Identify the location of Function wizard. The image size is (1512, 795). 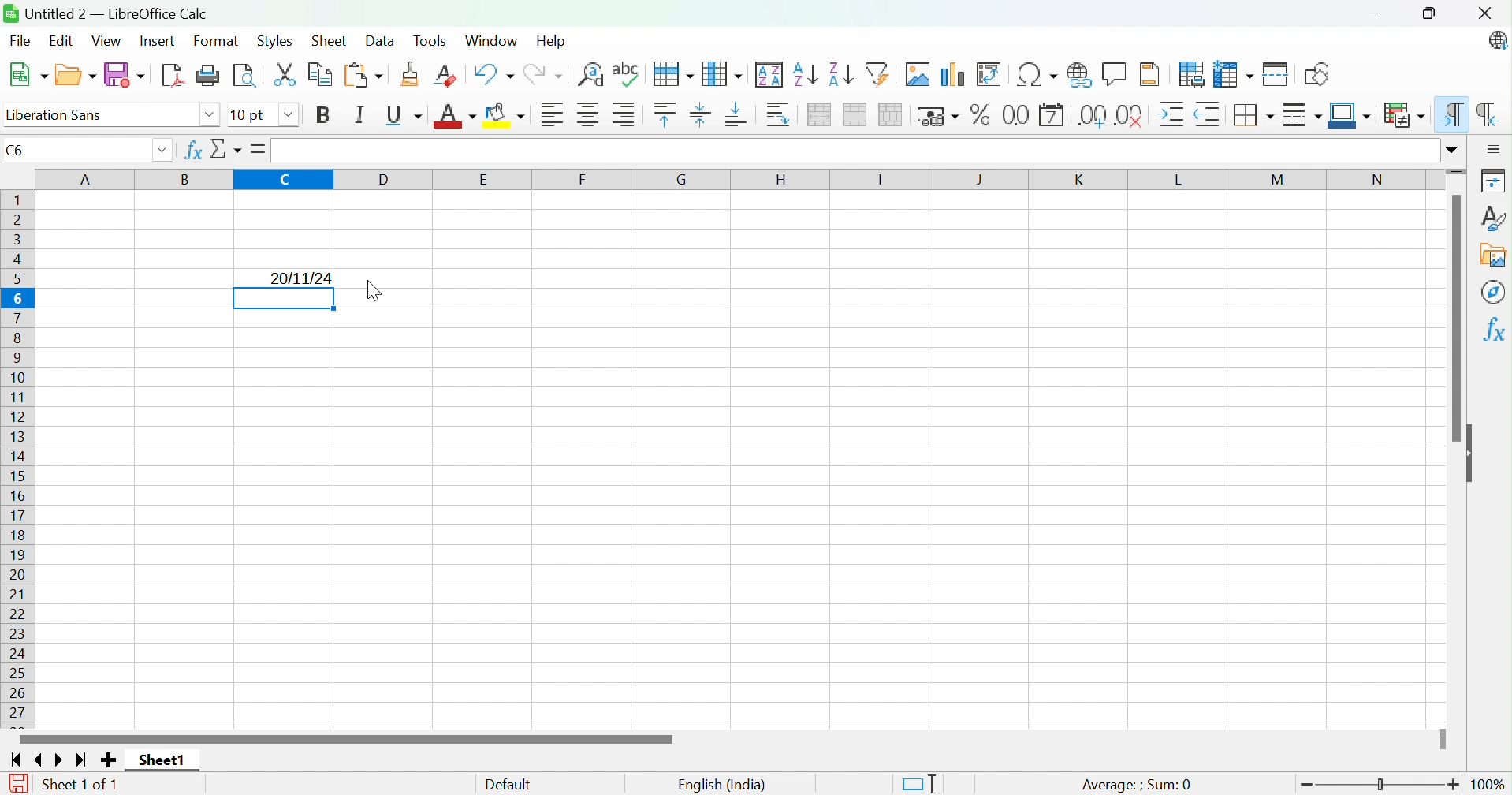
(192, 151).